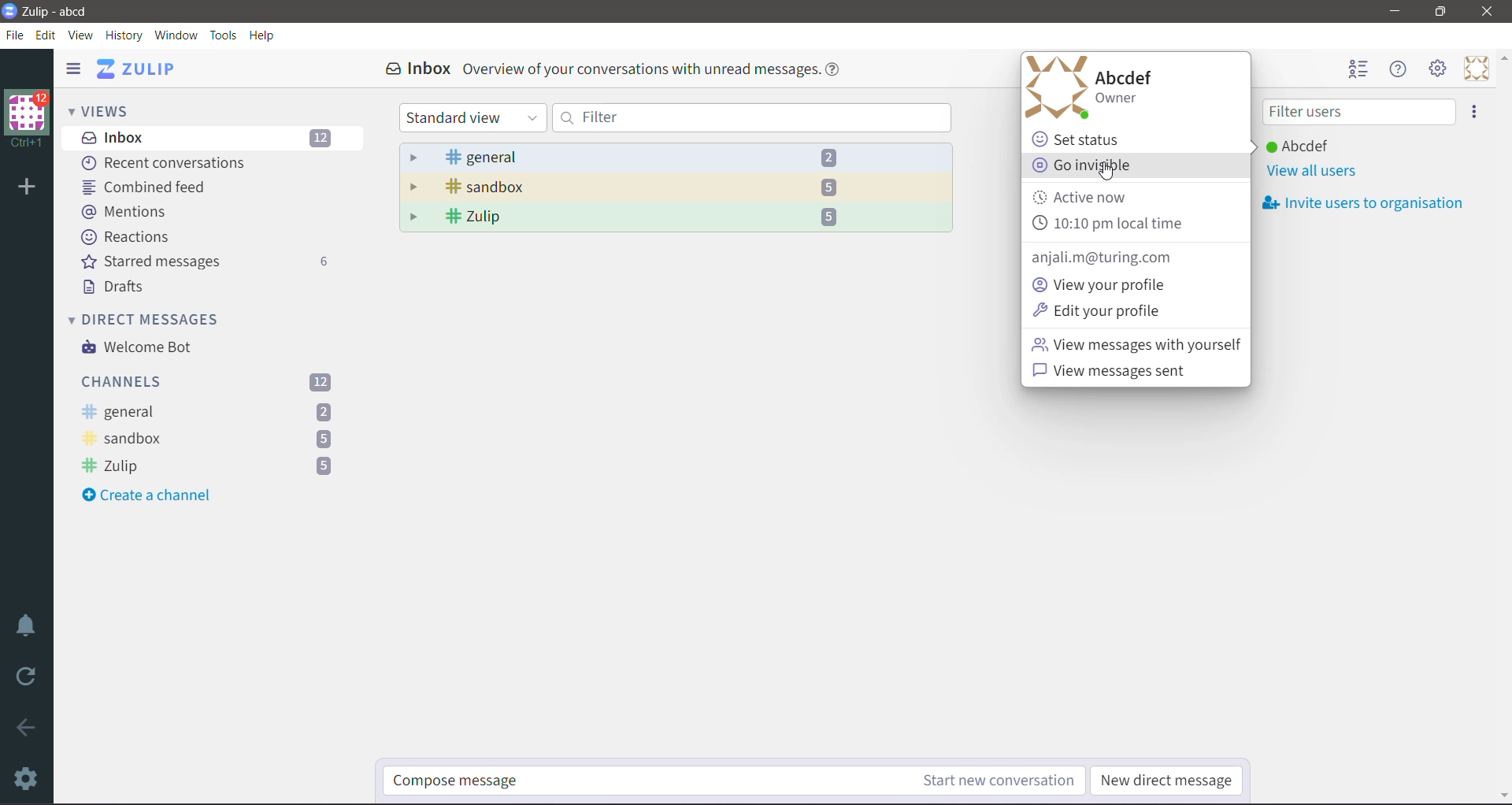 The image size is (1512, 805). I want to click on Vertical Scroll Bar, so click(1502, 427).